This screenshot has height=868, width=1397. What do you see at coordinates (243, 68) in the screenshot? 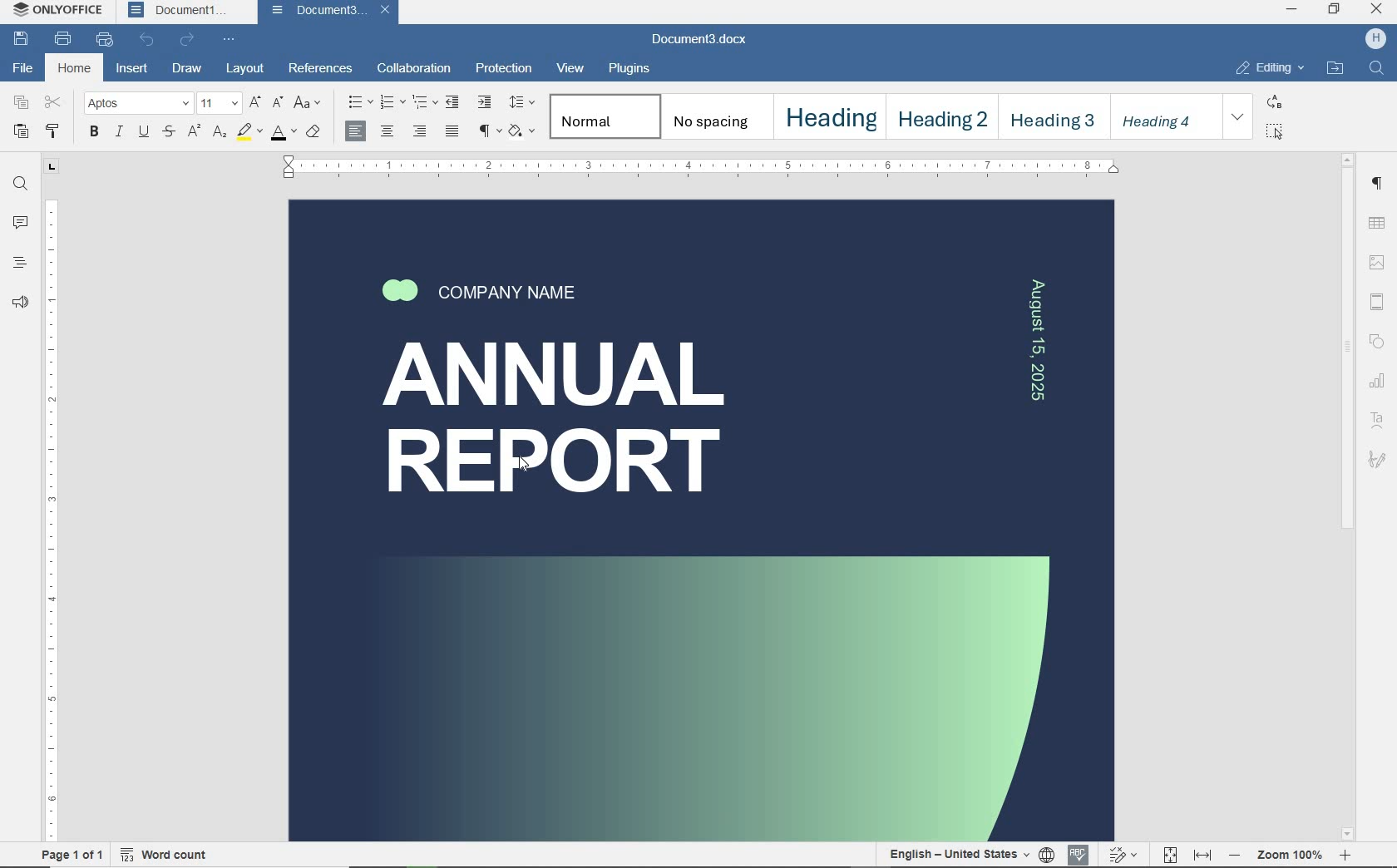
I see `layout` at bounding box center [243, 68].